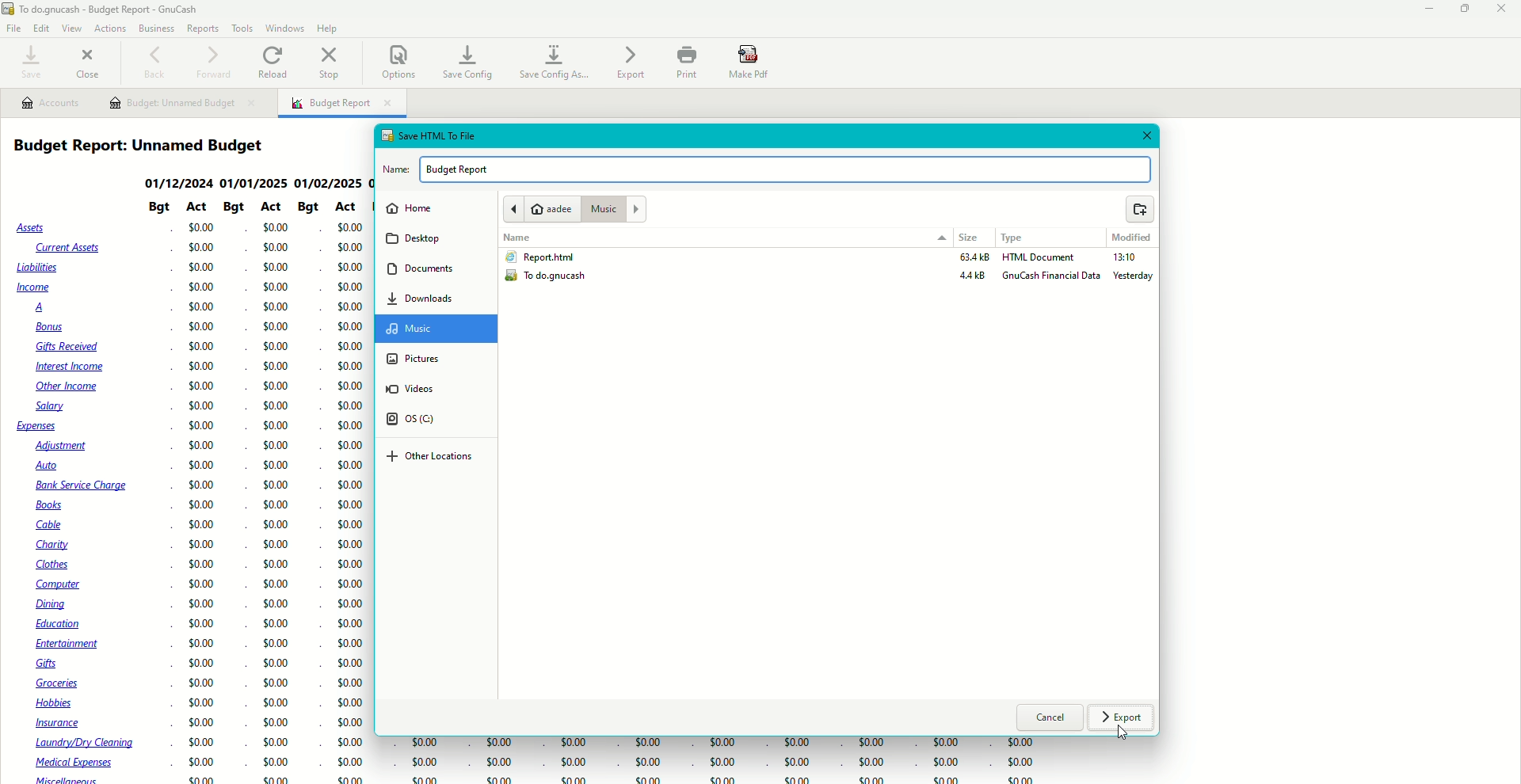 The image size is (1521, 784). I want to click on GnuCash, so click(131, 10).